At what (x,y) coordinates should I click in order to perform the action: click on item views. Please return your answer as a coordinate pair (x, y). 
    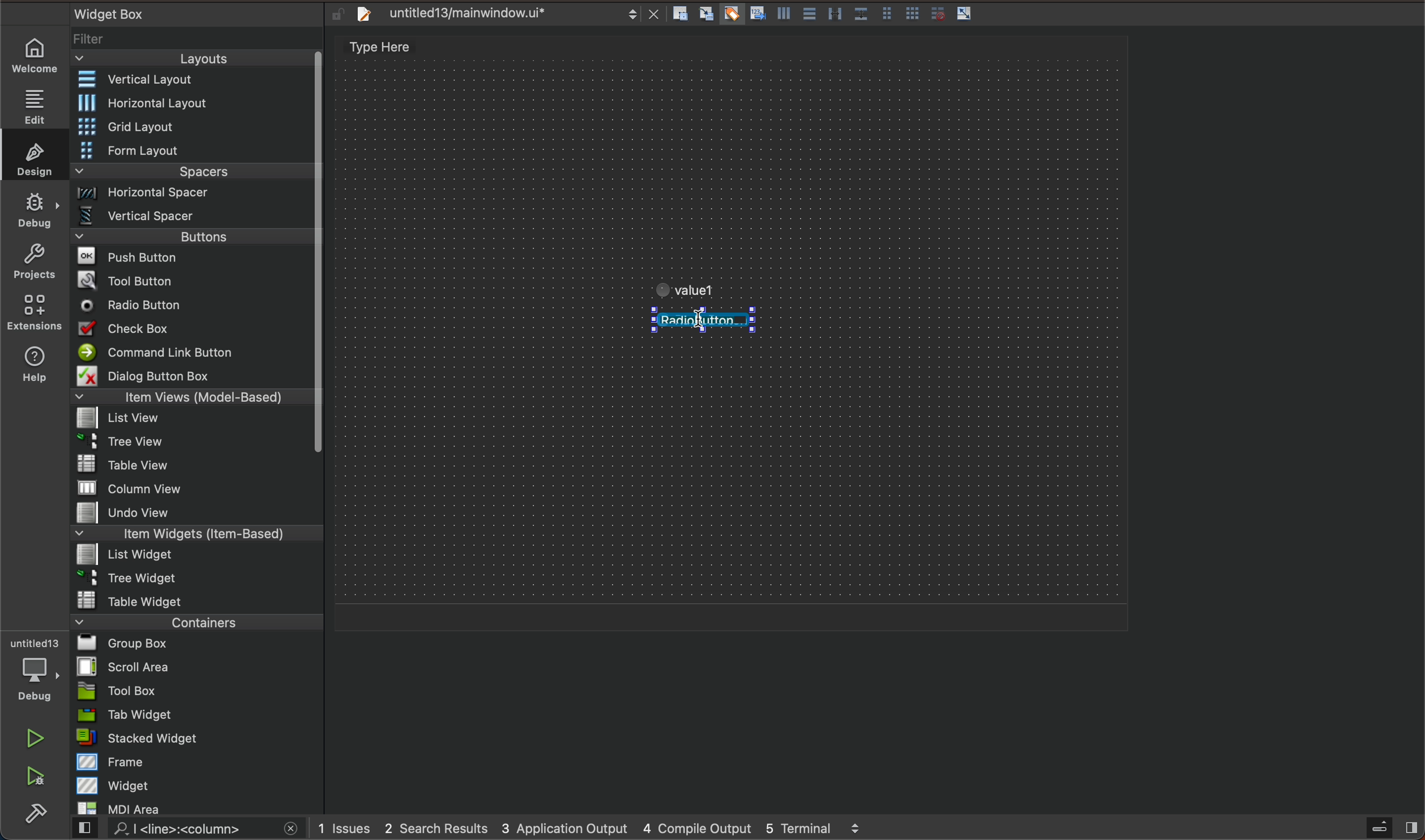
    Looking at the image, I should click on (190, 399).